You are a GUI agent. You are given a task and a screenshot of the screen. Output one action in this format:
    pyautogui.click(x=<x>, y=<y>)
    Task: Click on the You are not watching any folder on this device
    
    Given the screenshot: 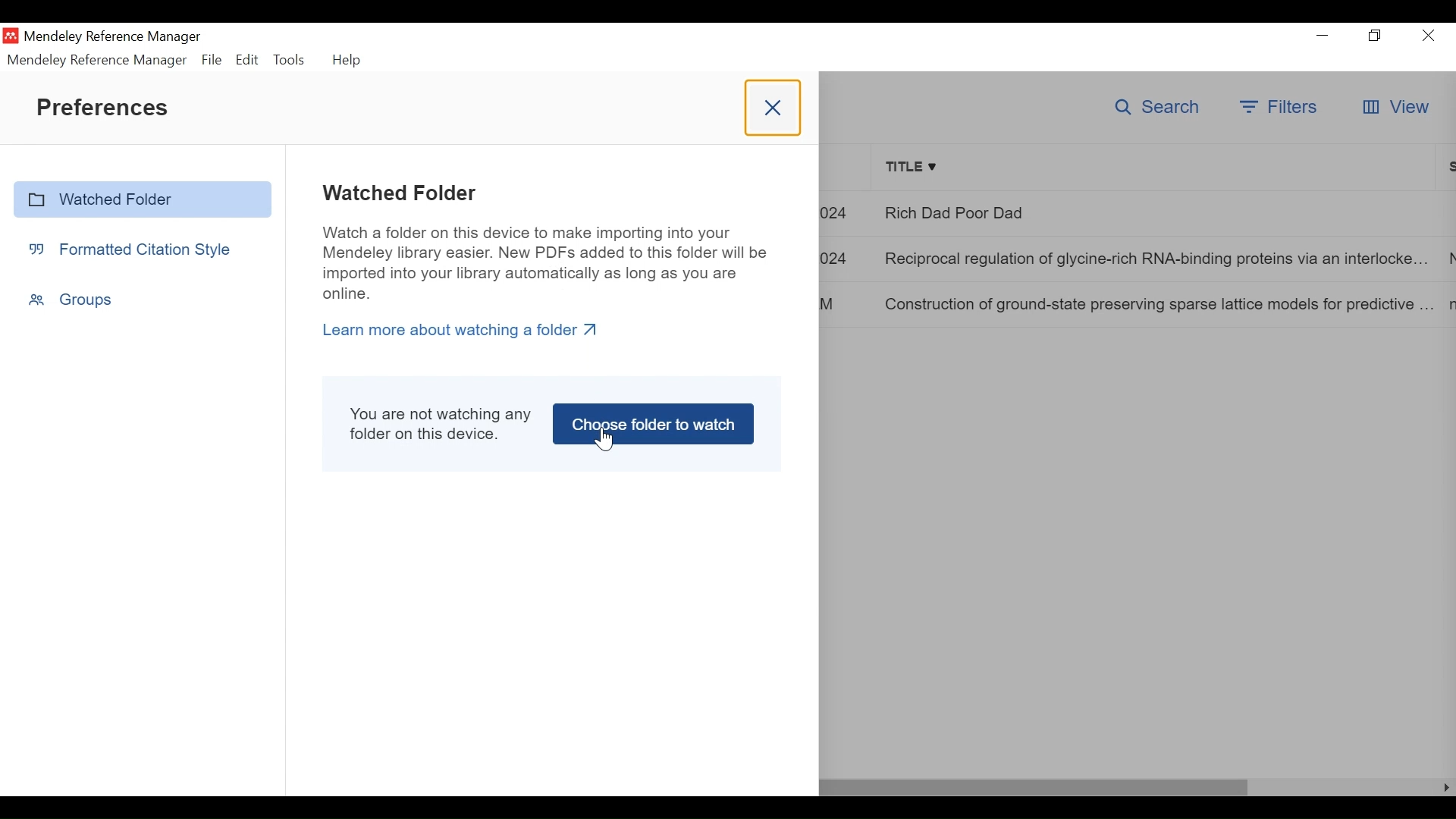 What is the action you would take?
    pyautogui.click(x=441, y=422)
    